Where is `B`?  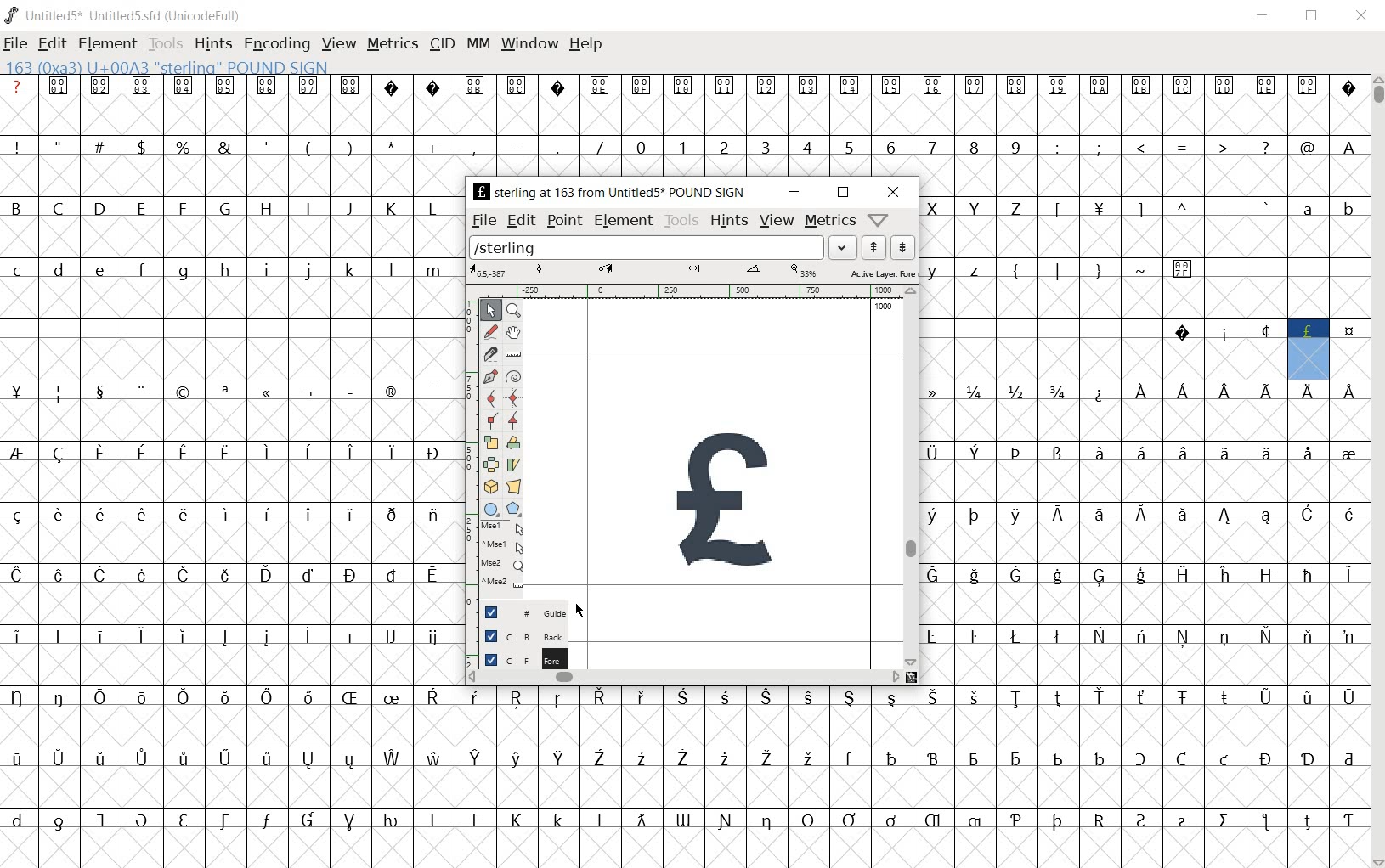 B is located at coordinates (22, 206).